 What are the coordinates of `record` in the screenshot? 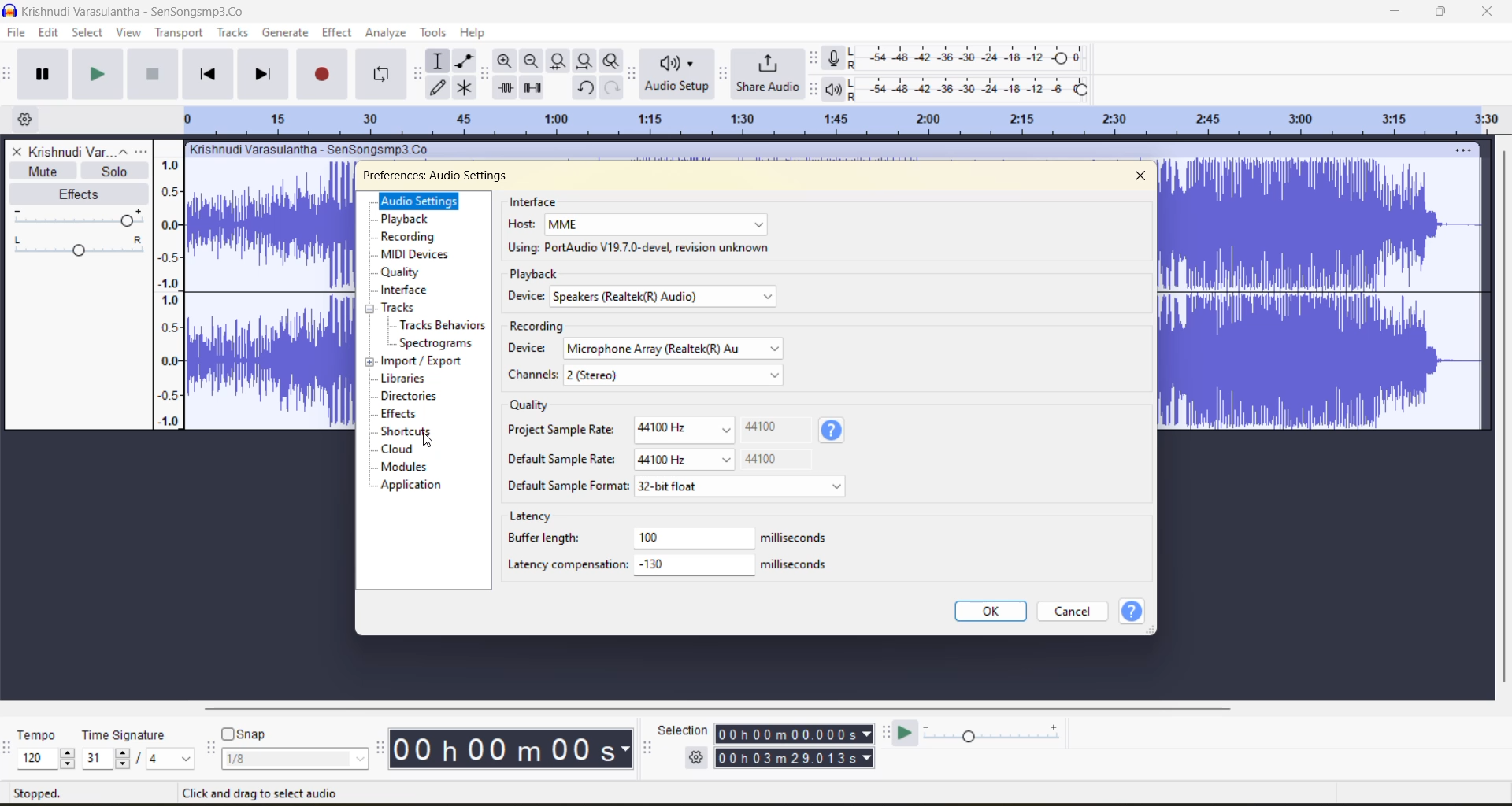 It's located at (324, 73).